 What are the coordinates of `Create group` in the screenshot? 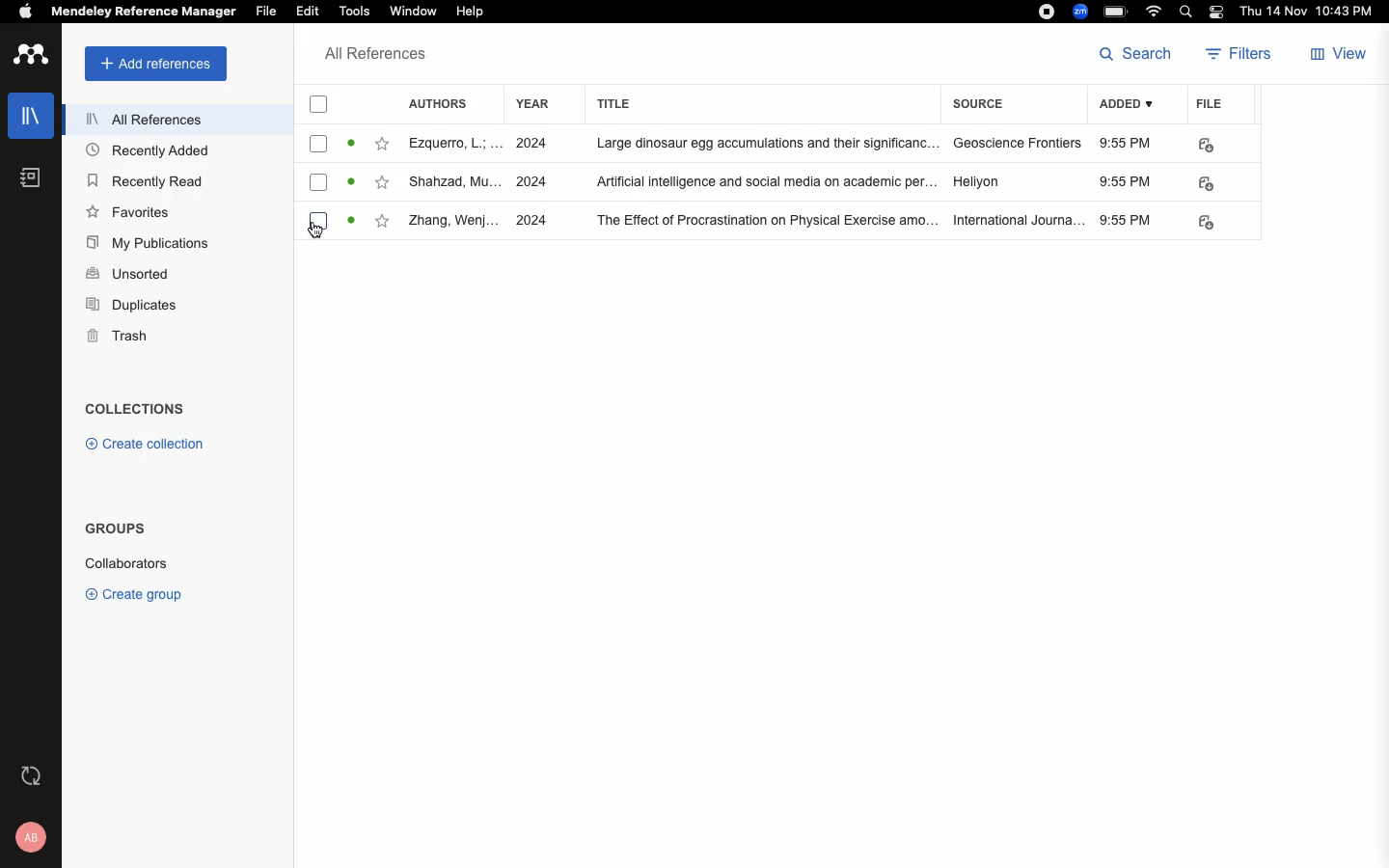 It's located at (138, 593).